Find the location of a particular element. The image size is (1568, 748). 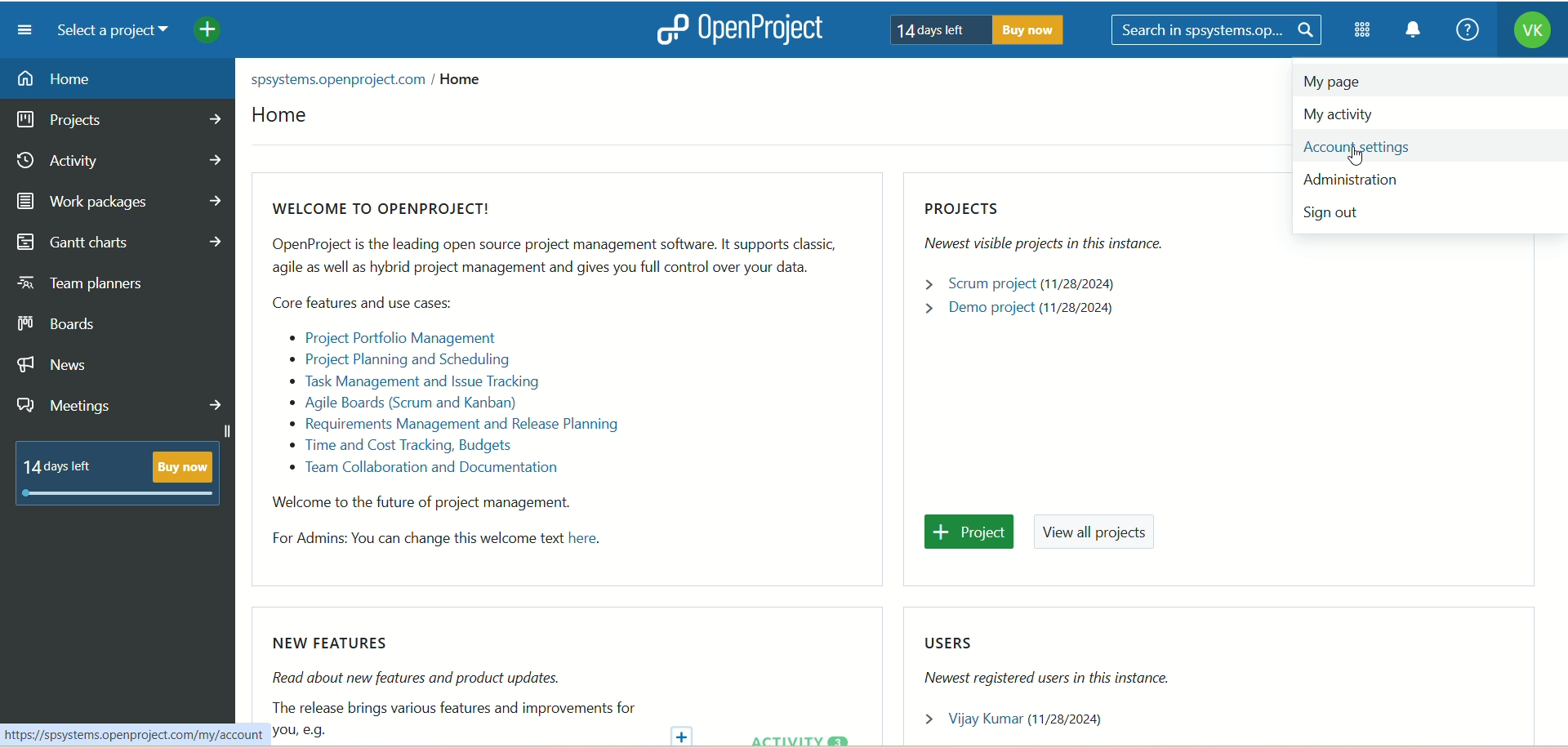

my activity is located at coordinates (1351, 114).